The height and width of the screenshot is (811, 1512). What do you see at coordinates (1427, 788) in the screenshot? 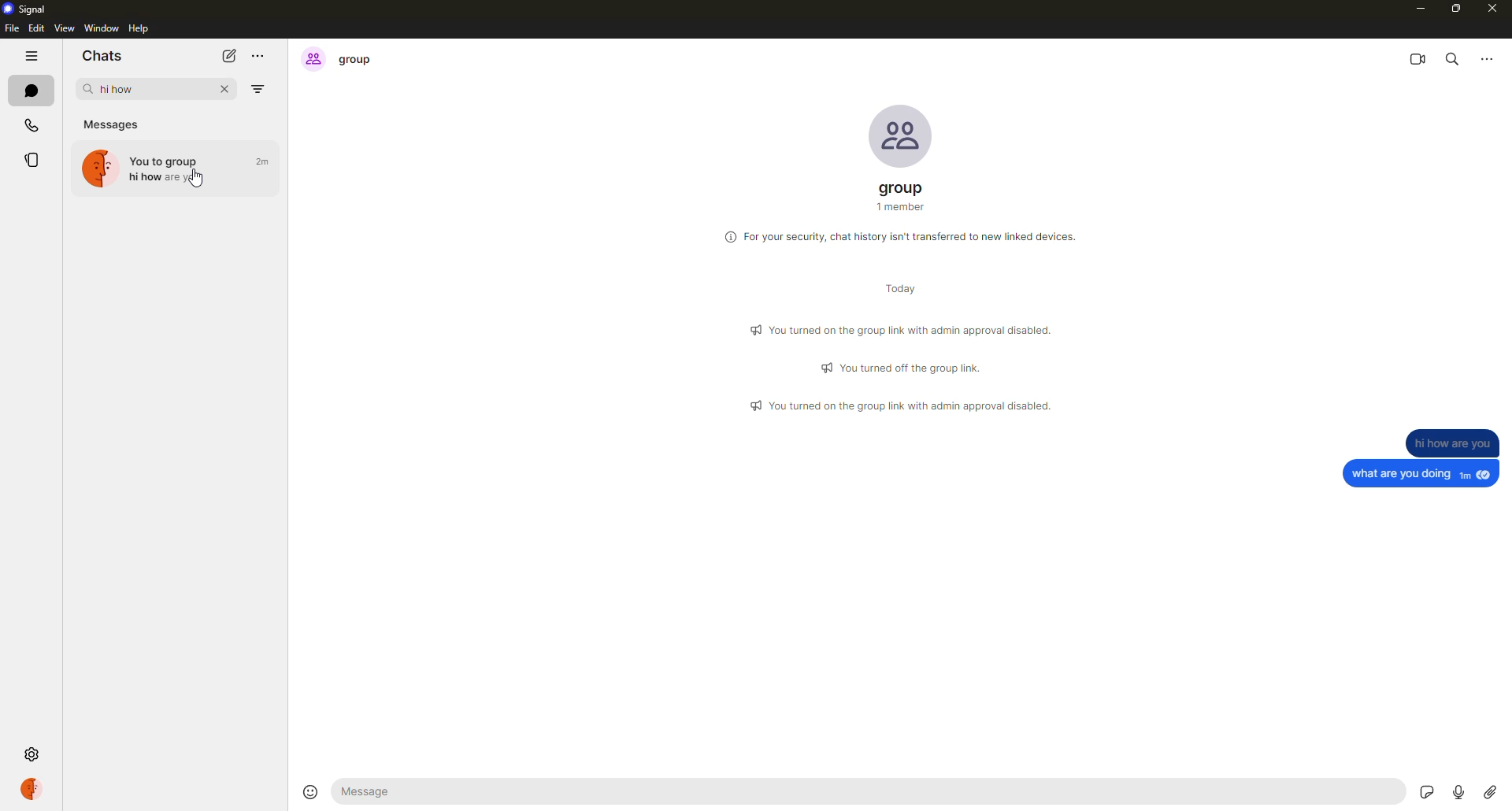
I see `stickers` at bounding box center [1427, 788].